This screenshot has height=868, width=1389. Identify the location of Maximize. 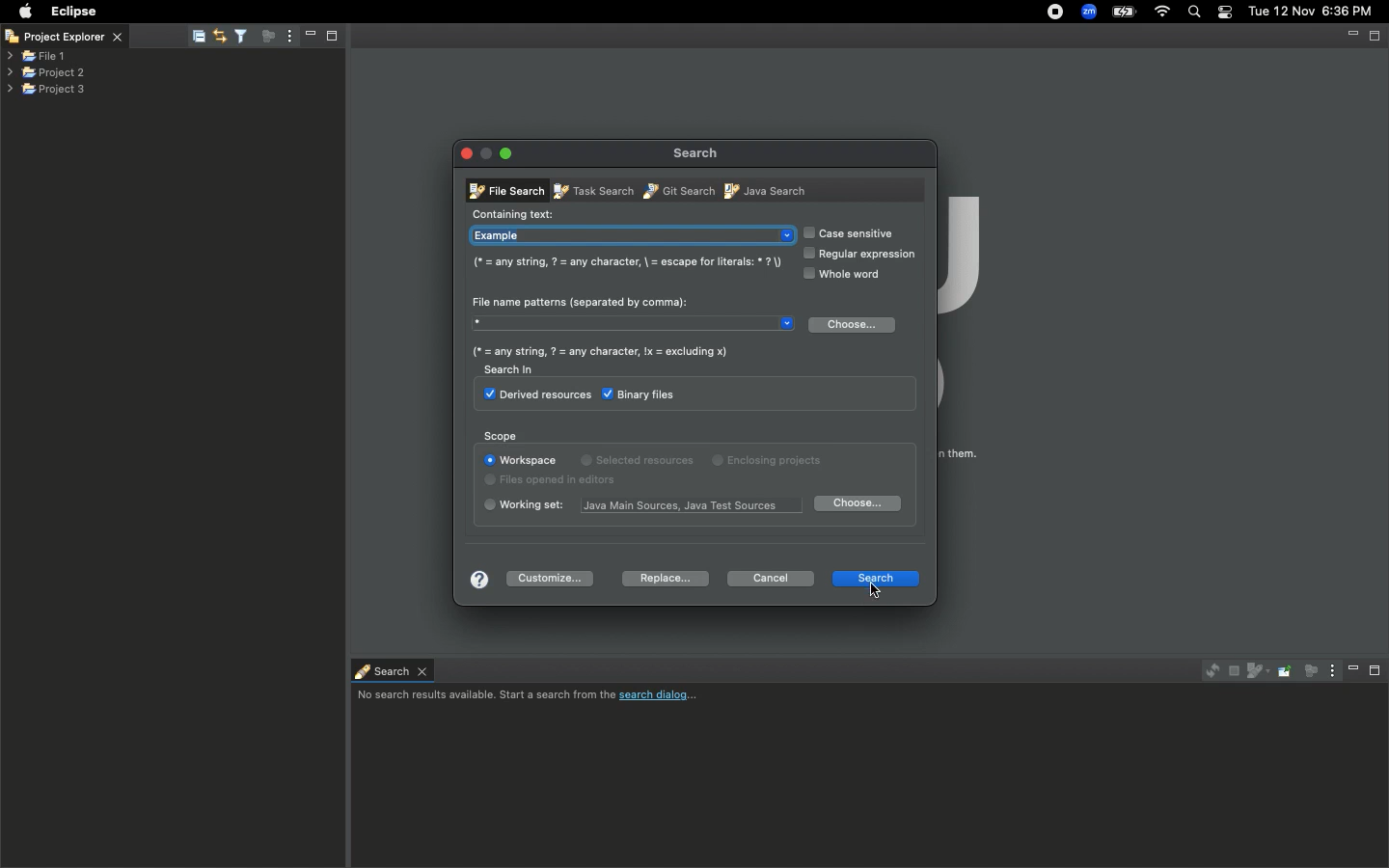
(1376, 670).